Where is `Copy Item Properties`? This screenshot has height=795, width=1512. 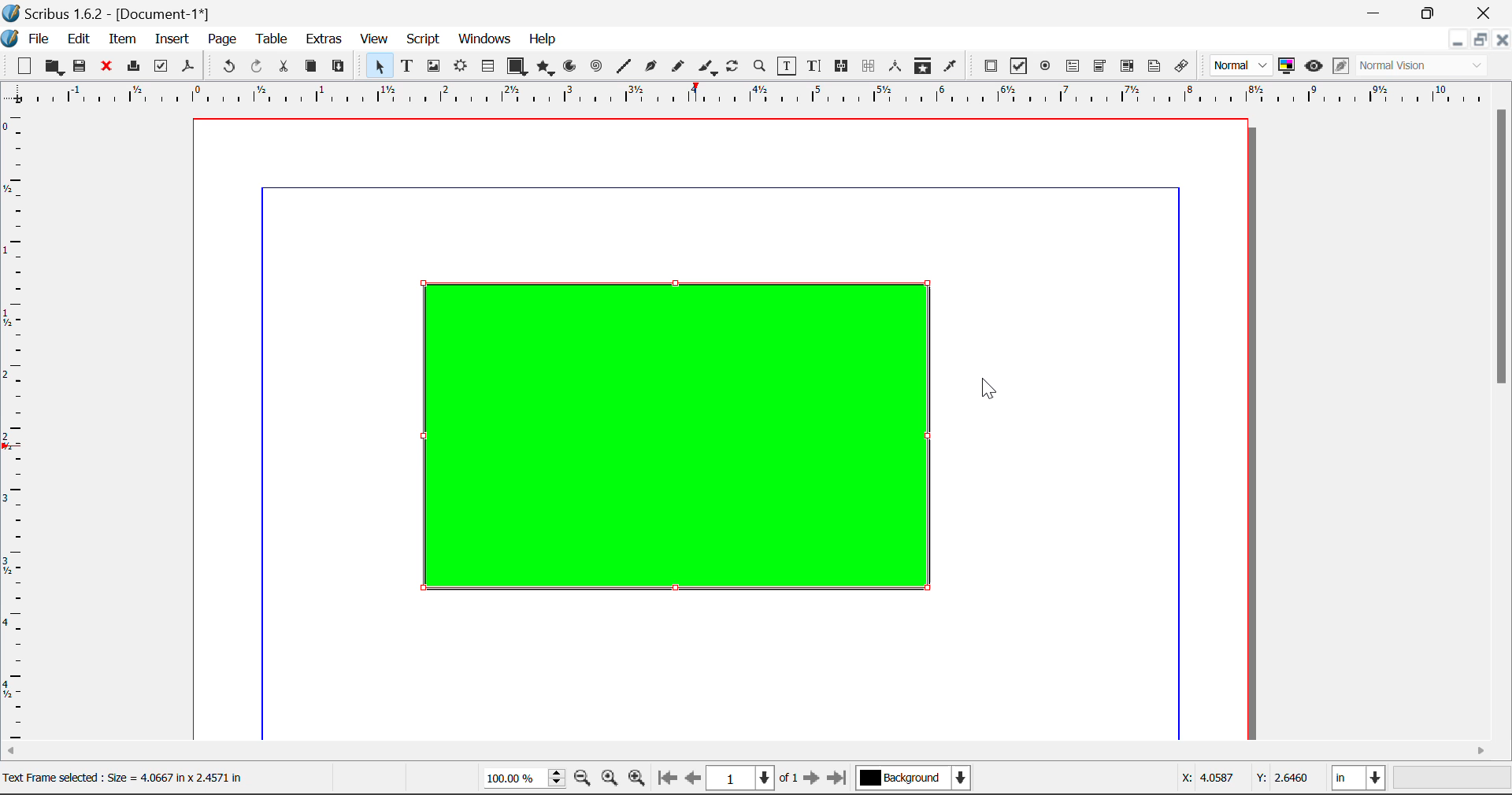
Copy Item Properties is located at coordinates (922, 66).